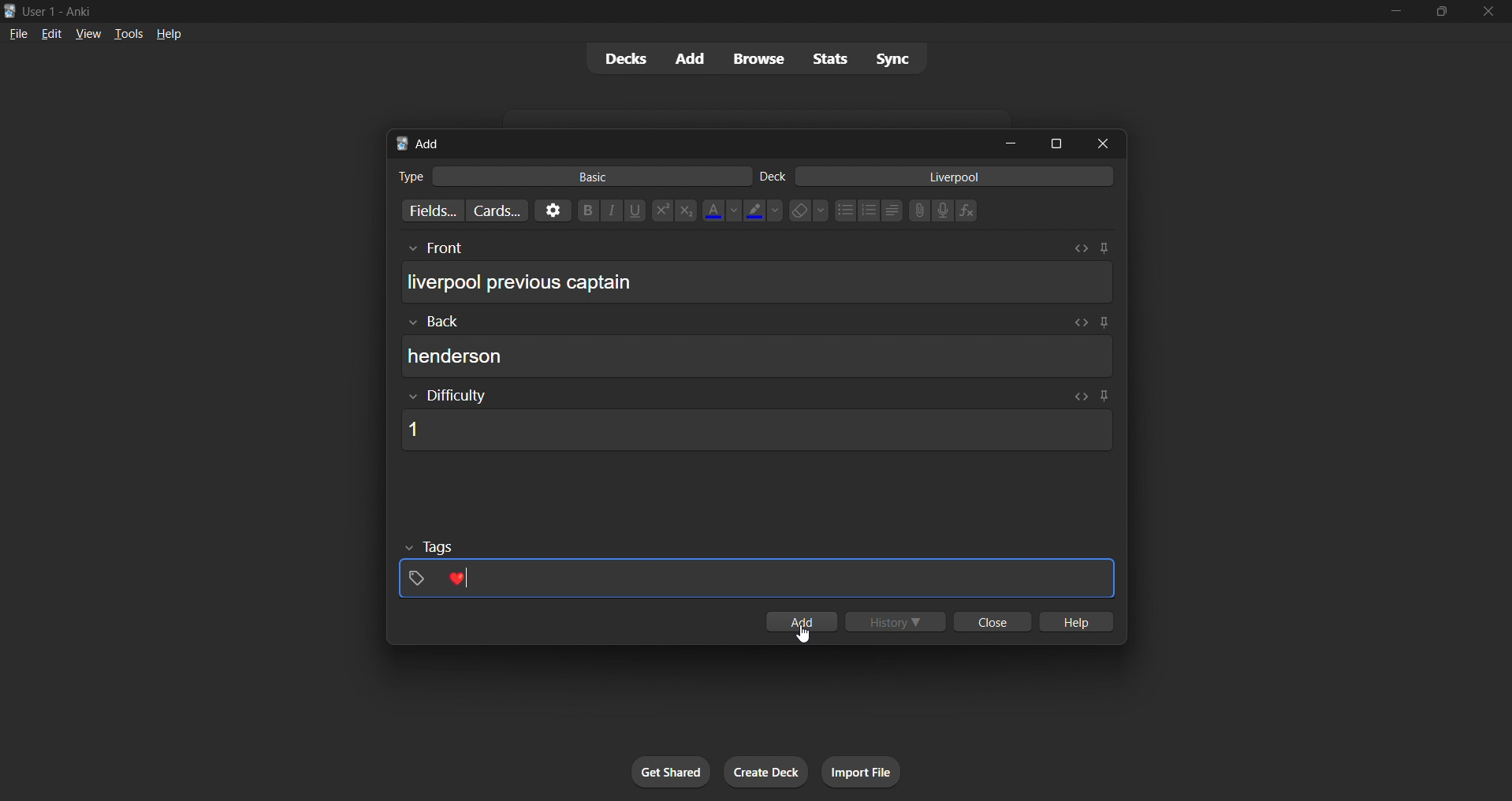  What do you see at coordinates (972, 211) in the screenshot?
I see `function` at bounding box center [972, 211].